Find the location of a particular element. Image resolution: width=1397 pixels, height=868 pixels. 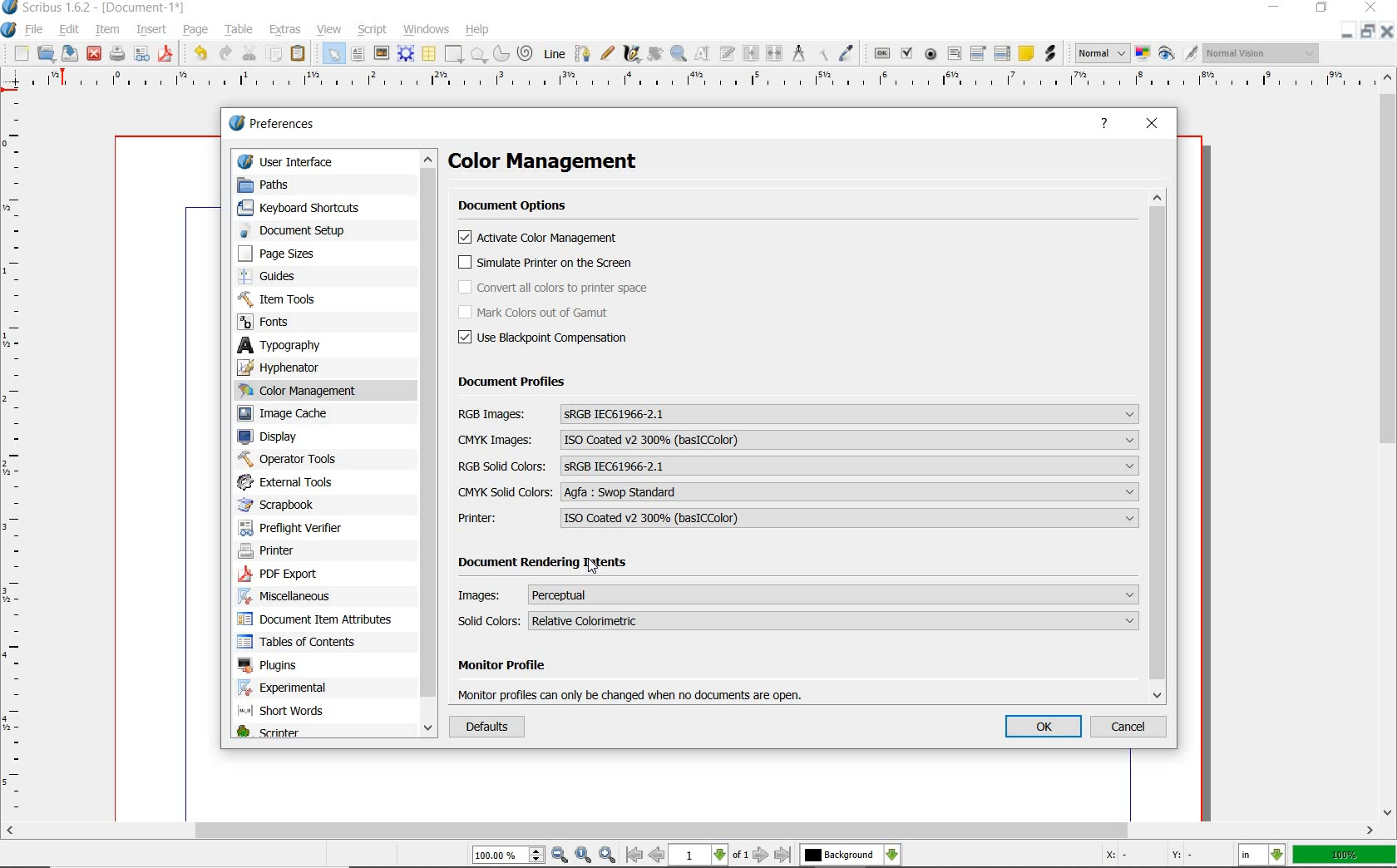

item tools is located at coordinates (297, 299).